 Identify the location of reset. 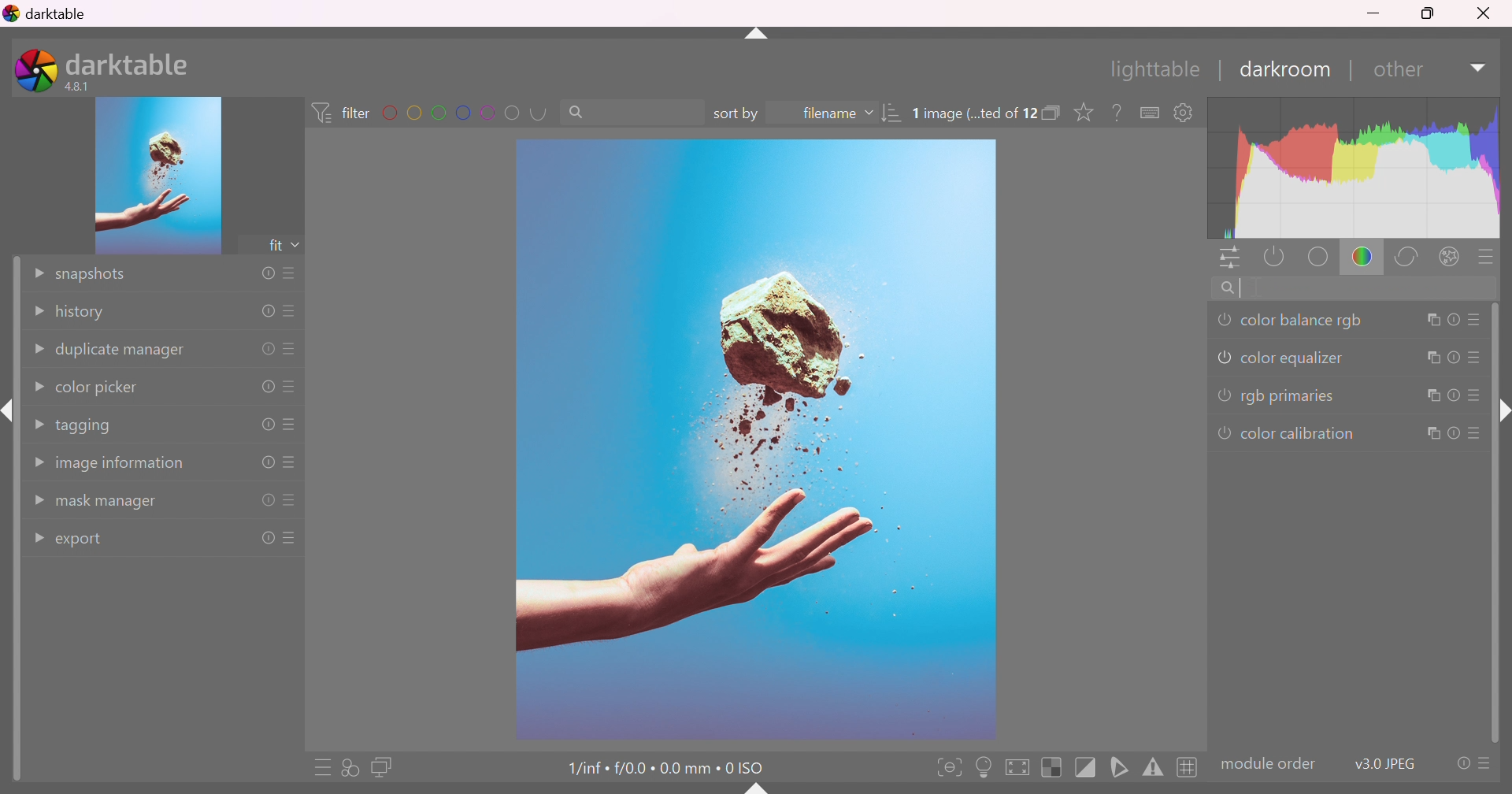
(1462, 763).